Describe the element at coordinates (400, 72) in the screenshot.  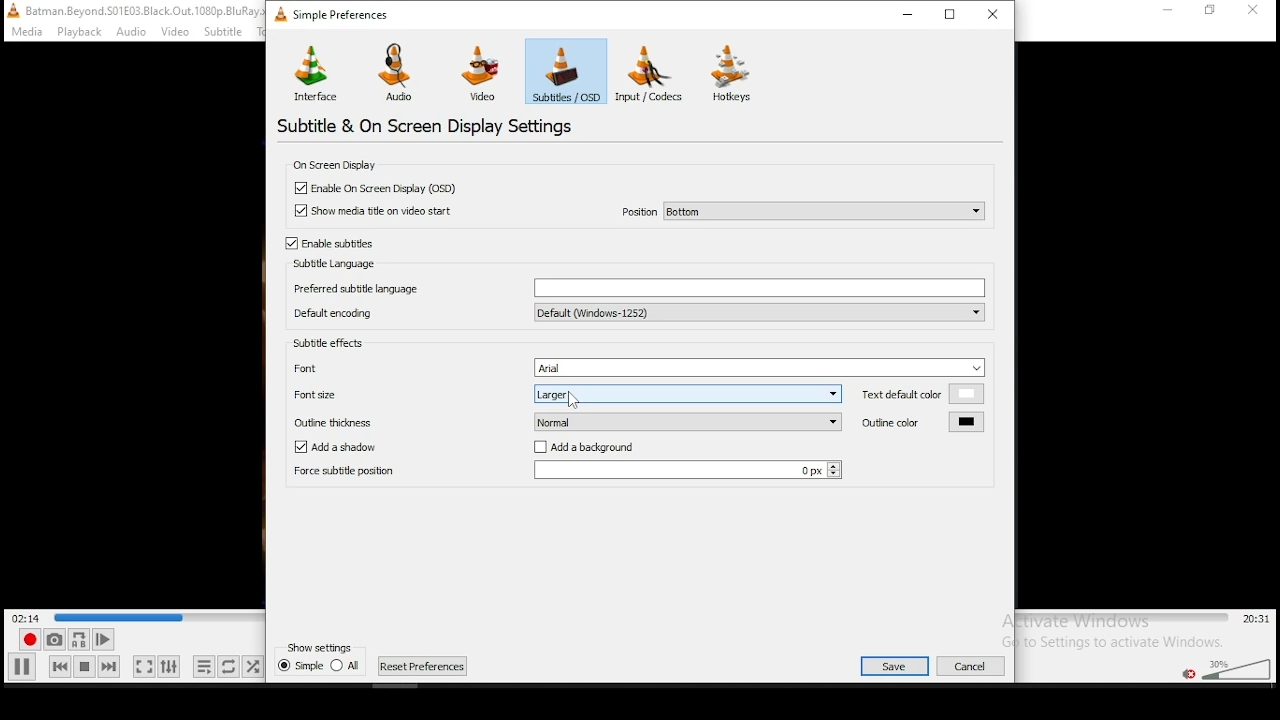
I see `audio` at that location.